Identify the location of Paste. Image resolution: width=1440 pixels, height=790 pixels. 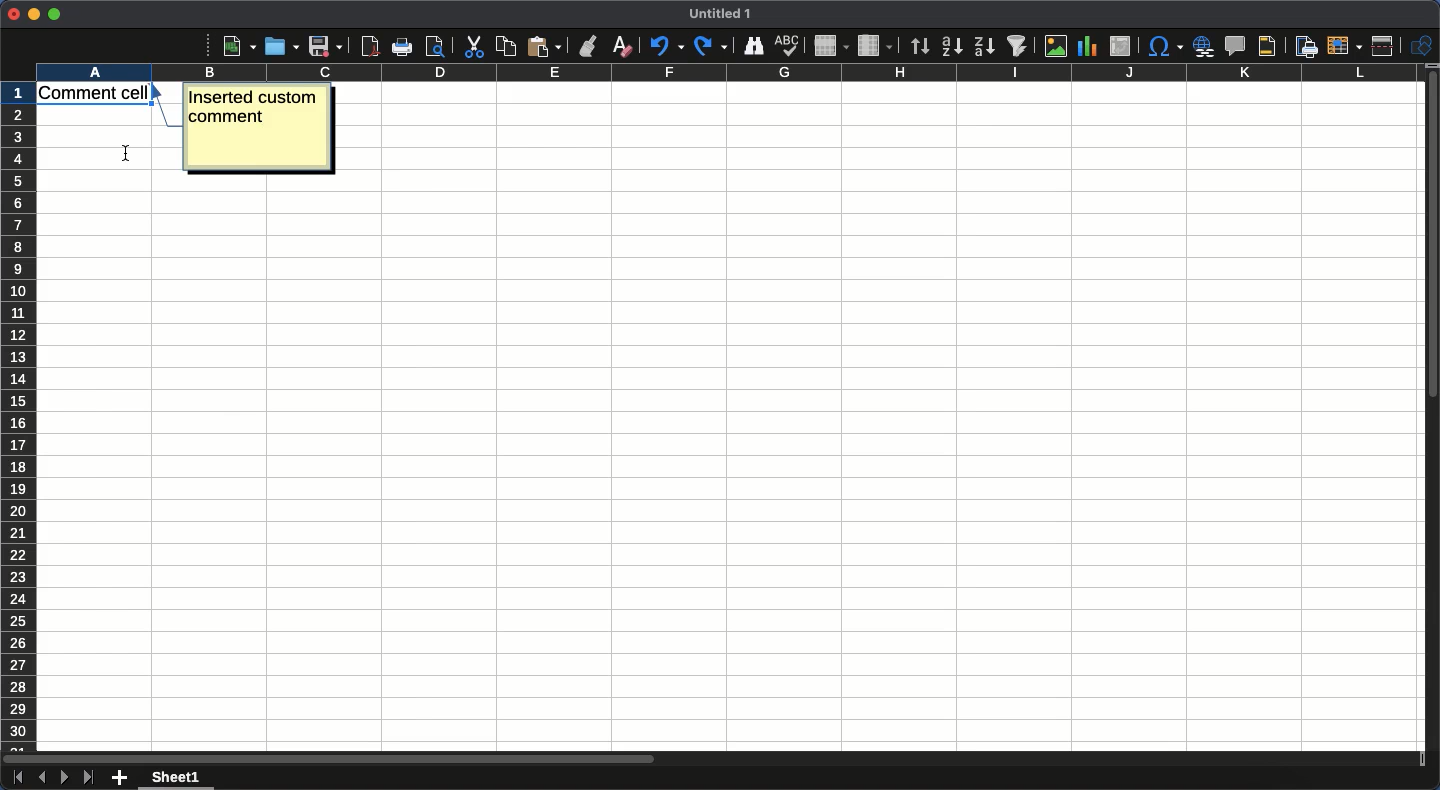
(544, 45).